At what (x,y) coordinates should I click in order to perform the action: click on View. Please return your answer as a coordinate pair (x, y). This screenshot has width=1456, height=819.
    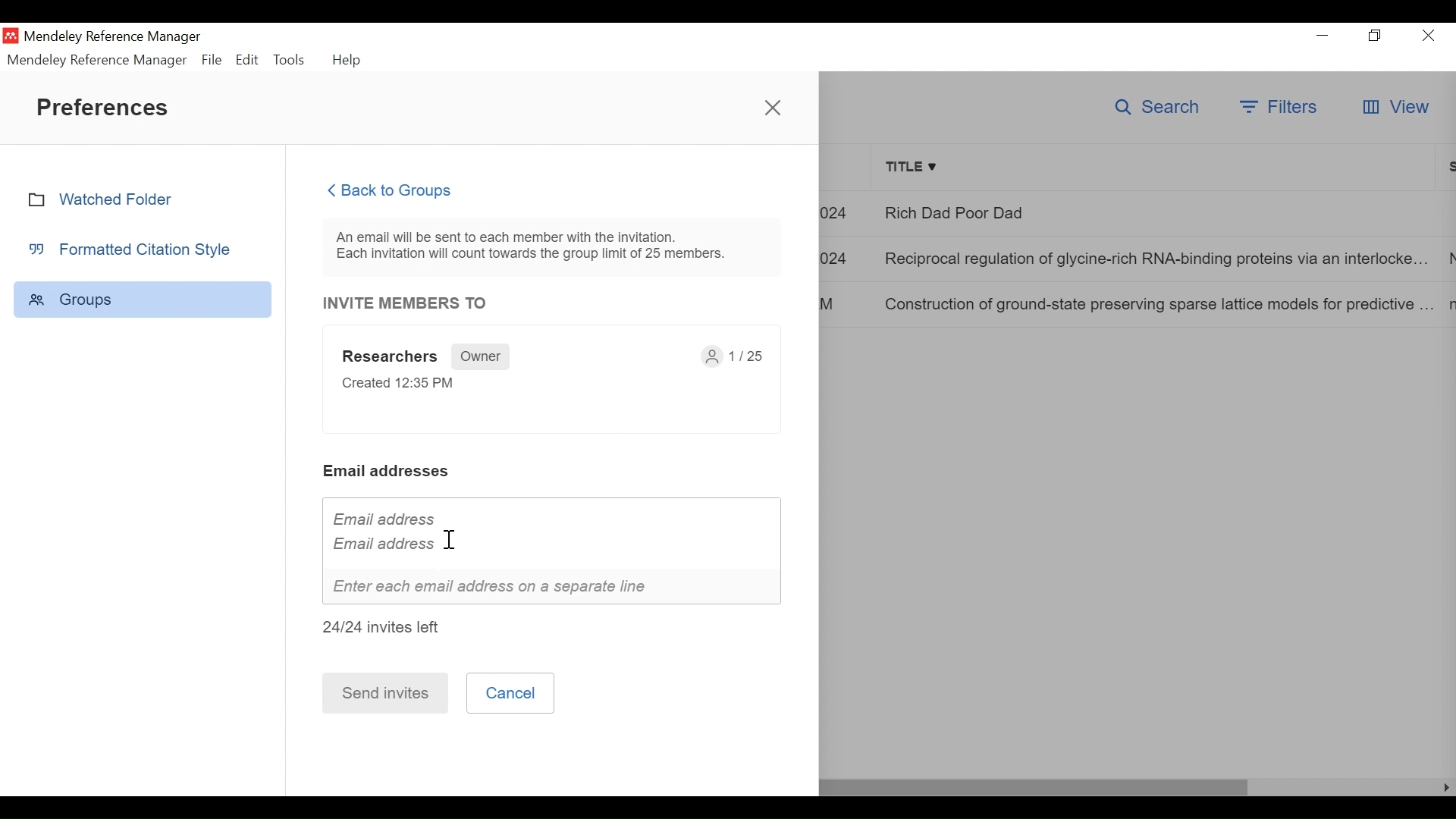
    Looking at the image, I should click on (1395, 106).